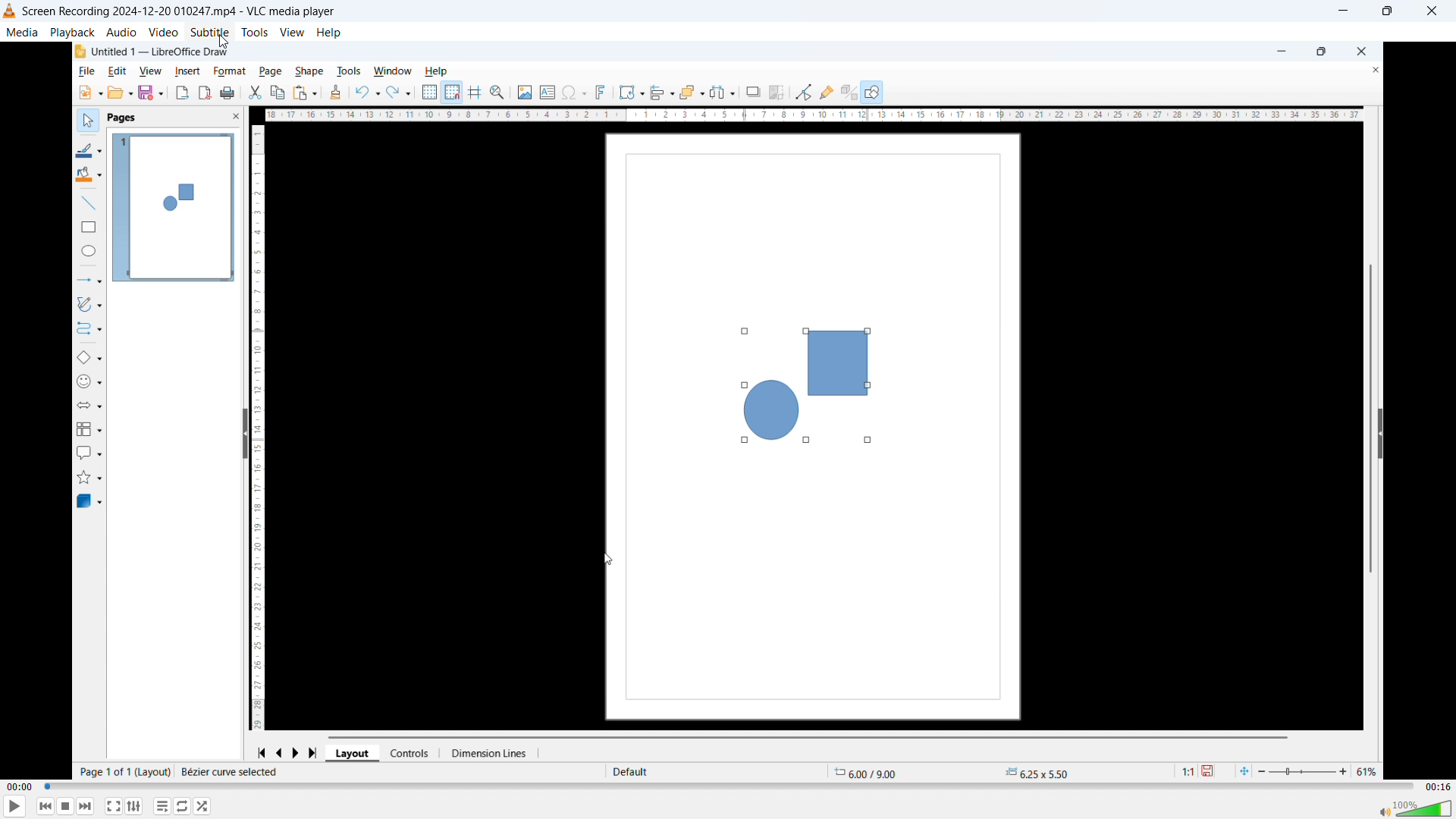  What do you see at coordinates (115, 72) in the screenshot?
I see `edit` at bounding box center [115, 72].